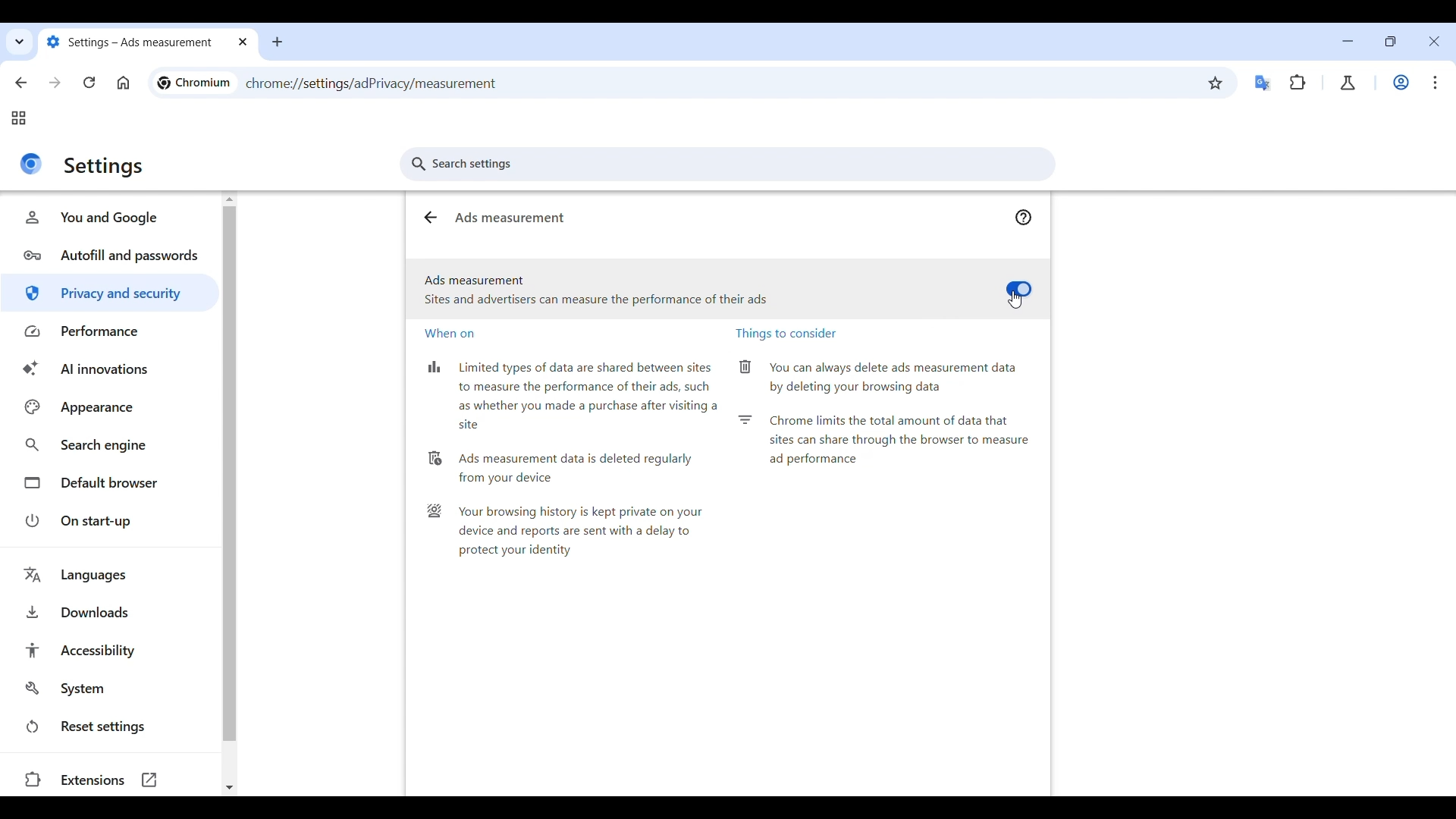 Image resolution: width=1456 pixels, height=819 pixels. What do you see at coordinates (413, 83) in the screenshot?
I see `Web link of current page` at bounding box center [413, 83].